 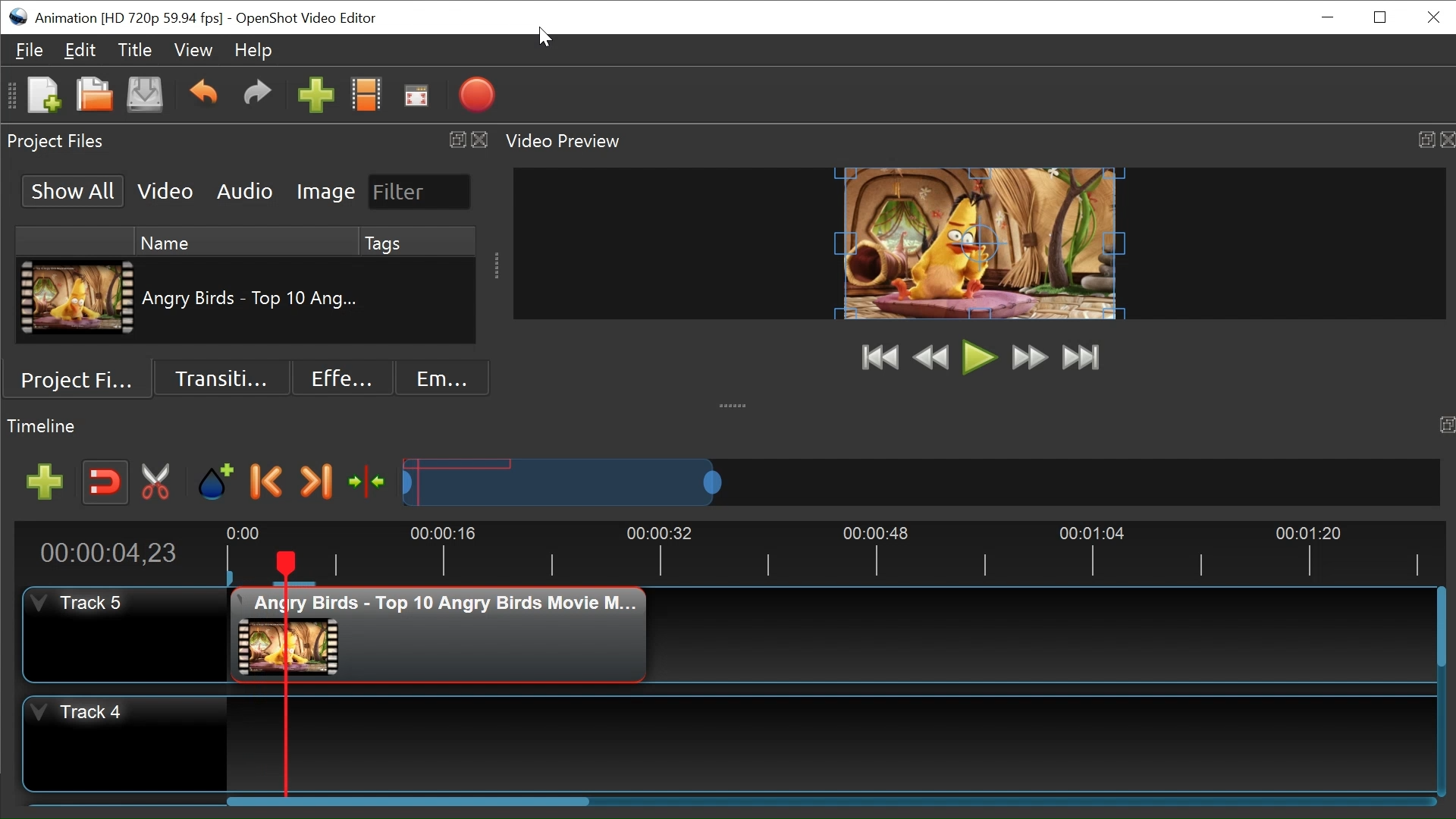 I want to click on Horizontal Scroll bar, so click(x=1442, y=626).